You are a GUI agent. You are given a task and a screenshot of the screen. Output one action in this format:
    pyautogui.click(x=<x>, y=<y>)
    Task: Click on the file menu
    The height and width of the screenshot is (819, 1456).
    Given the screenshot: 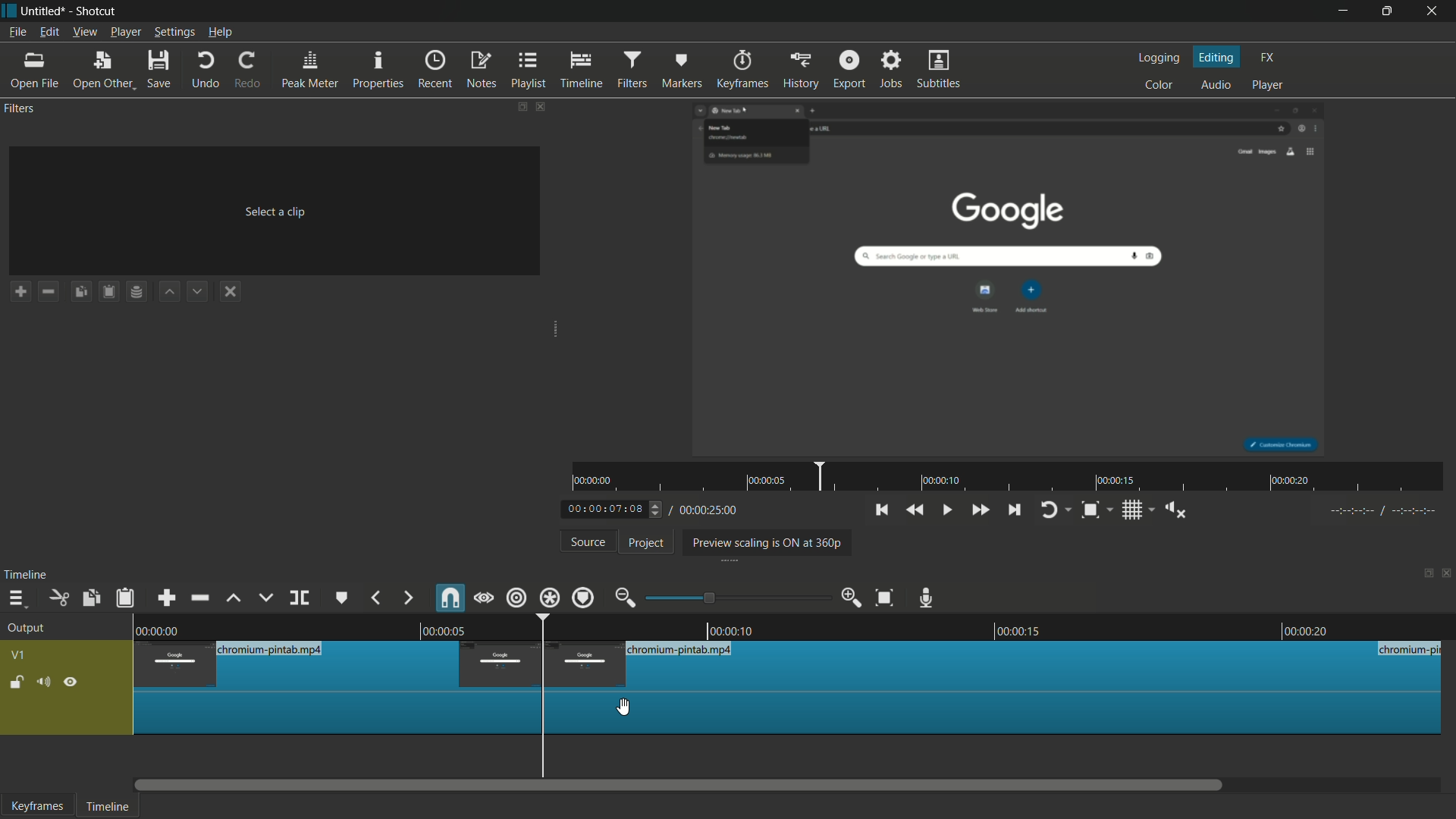 What is the action you would take?
    pyautogui.click(x=17, y=32)
    